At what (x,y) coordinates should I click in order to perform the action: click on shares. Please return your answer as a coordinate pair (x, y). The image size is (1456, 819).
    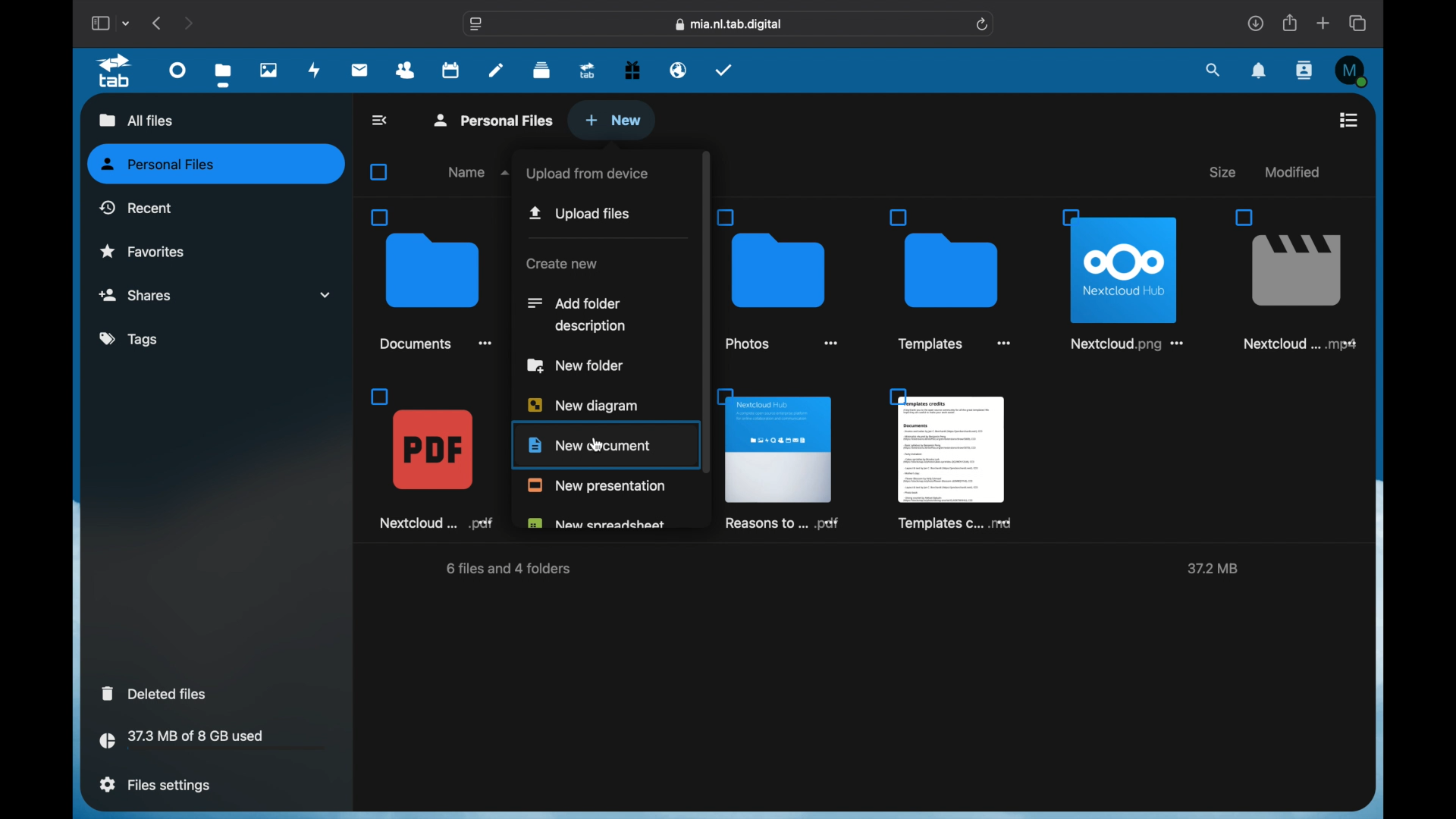
    Looking at the image, I should click on (215, 295).